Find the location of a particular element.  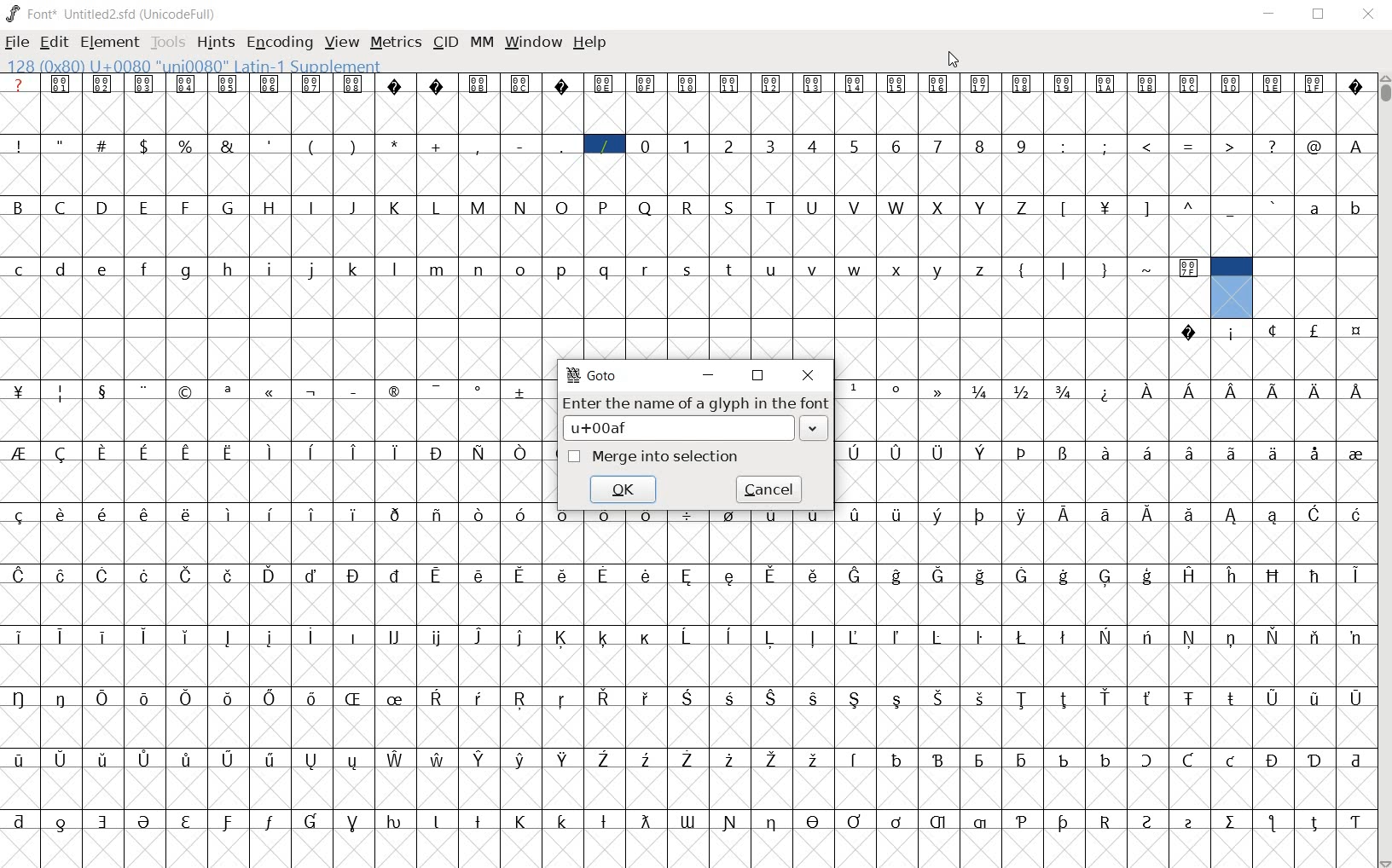

< is located at coordinates (1149, 146).